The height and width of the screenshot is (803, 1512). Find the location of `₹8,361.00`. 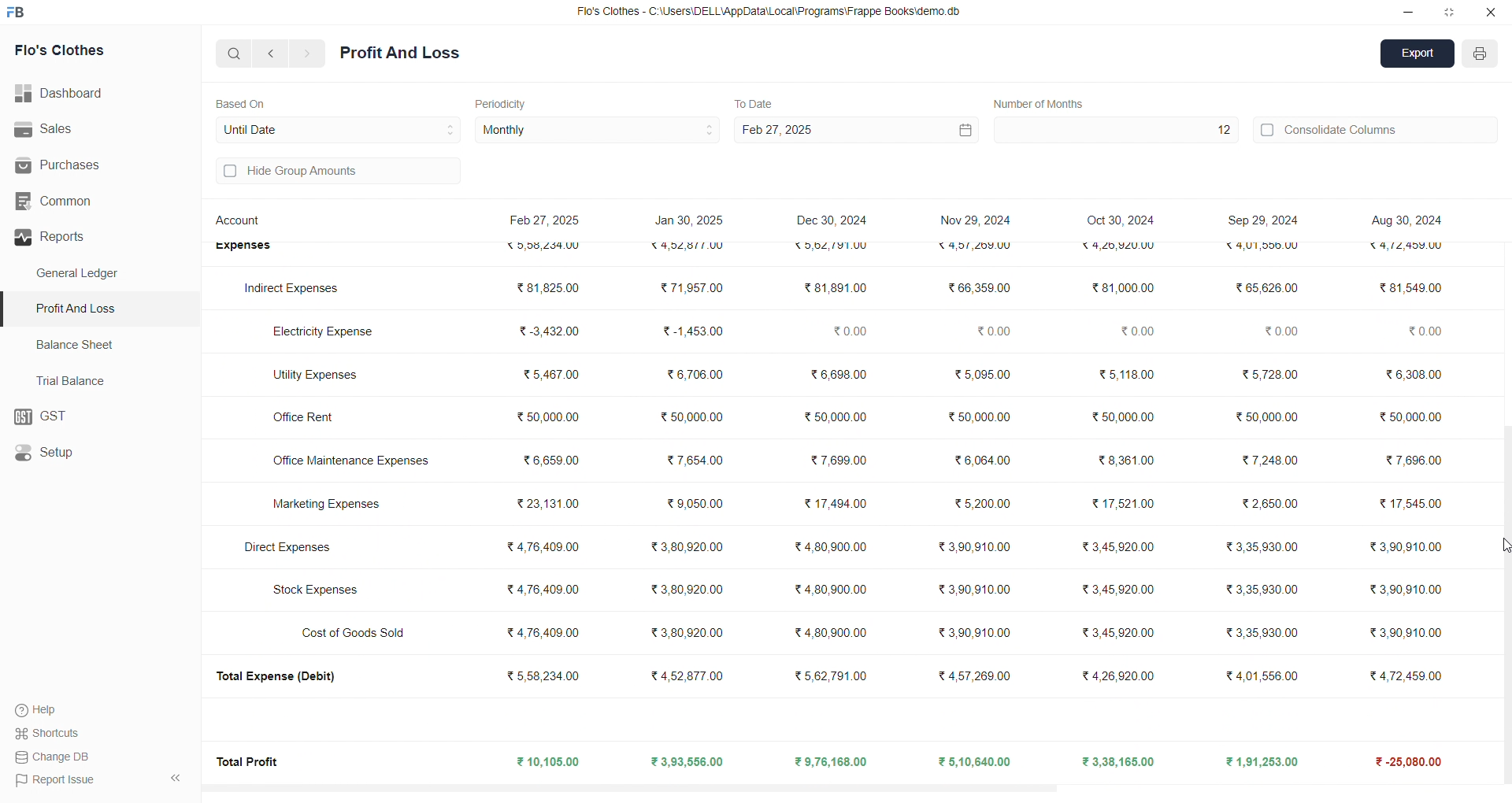

₹8,361.00 is located at coordinates (1125, 460).